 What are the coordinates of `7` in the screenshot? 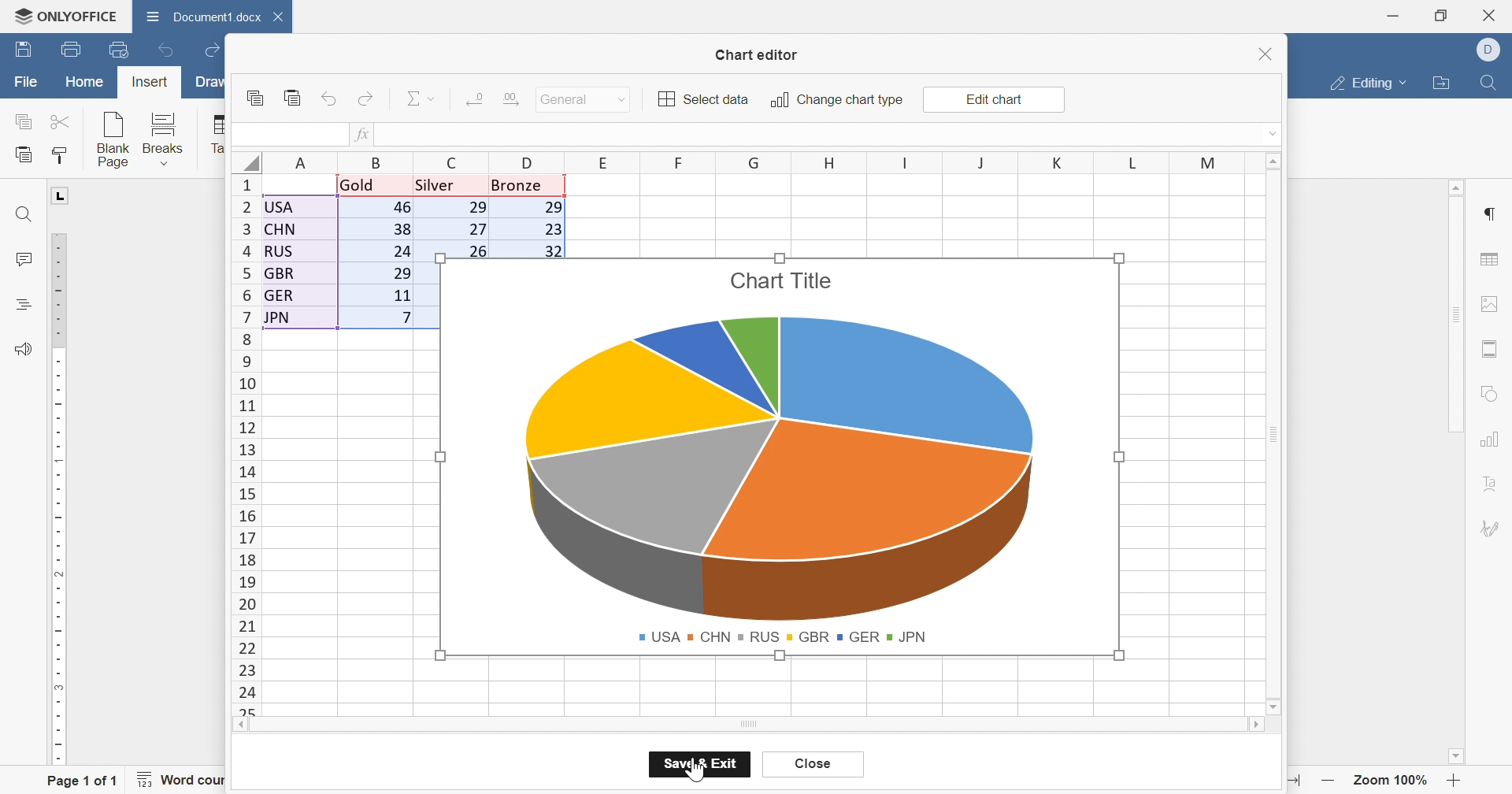 It's located at (402, 320).